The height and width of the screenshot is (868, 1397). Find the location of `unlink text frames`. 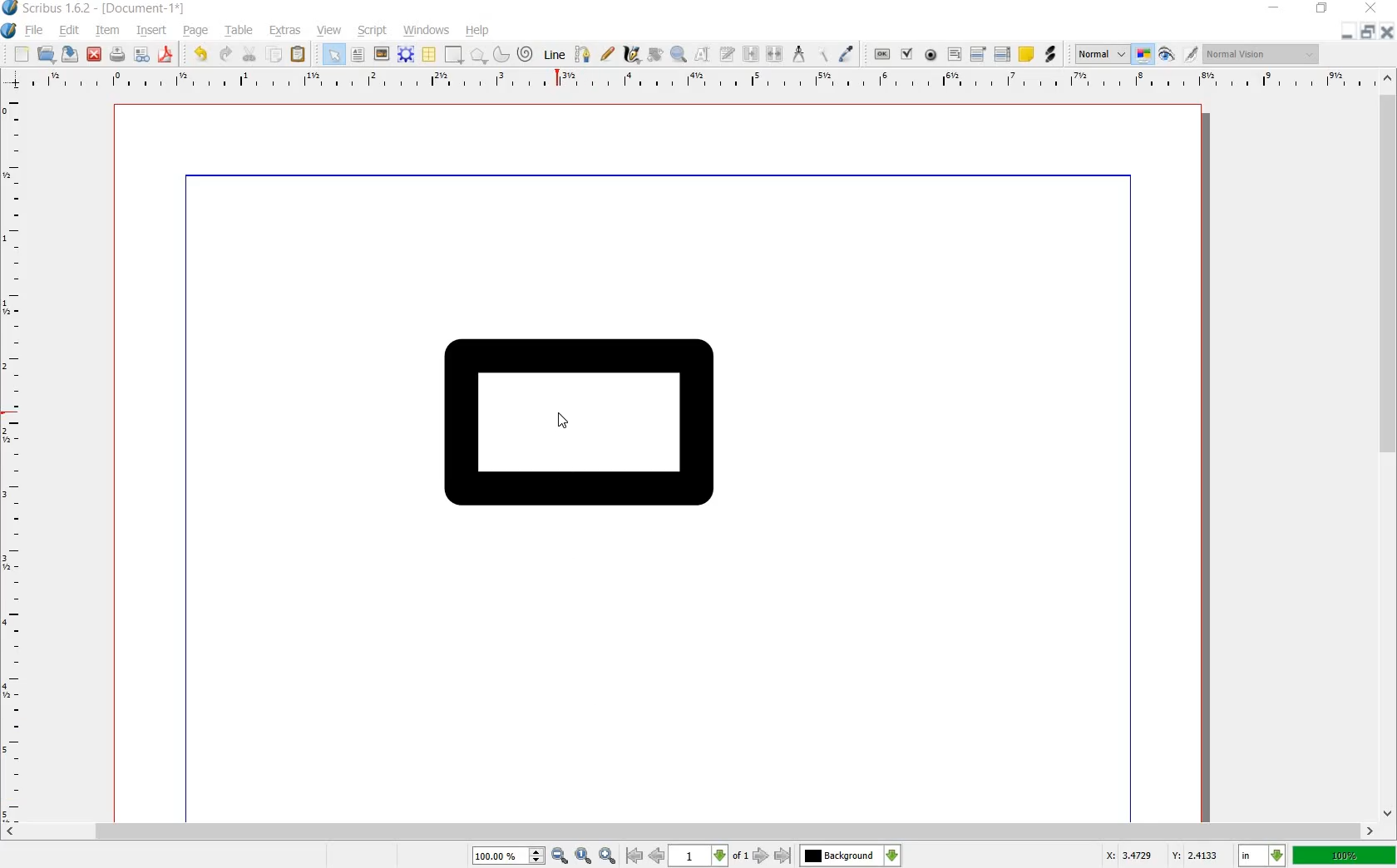

unlink text frames is located at coordinates (776, 52).